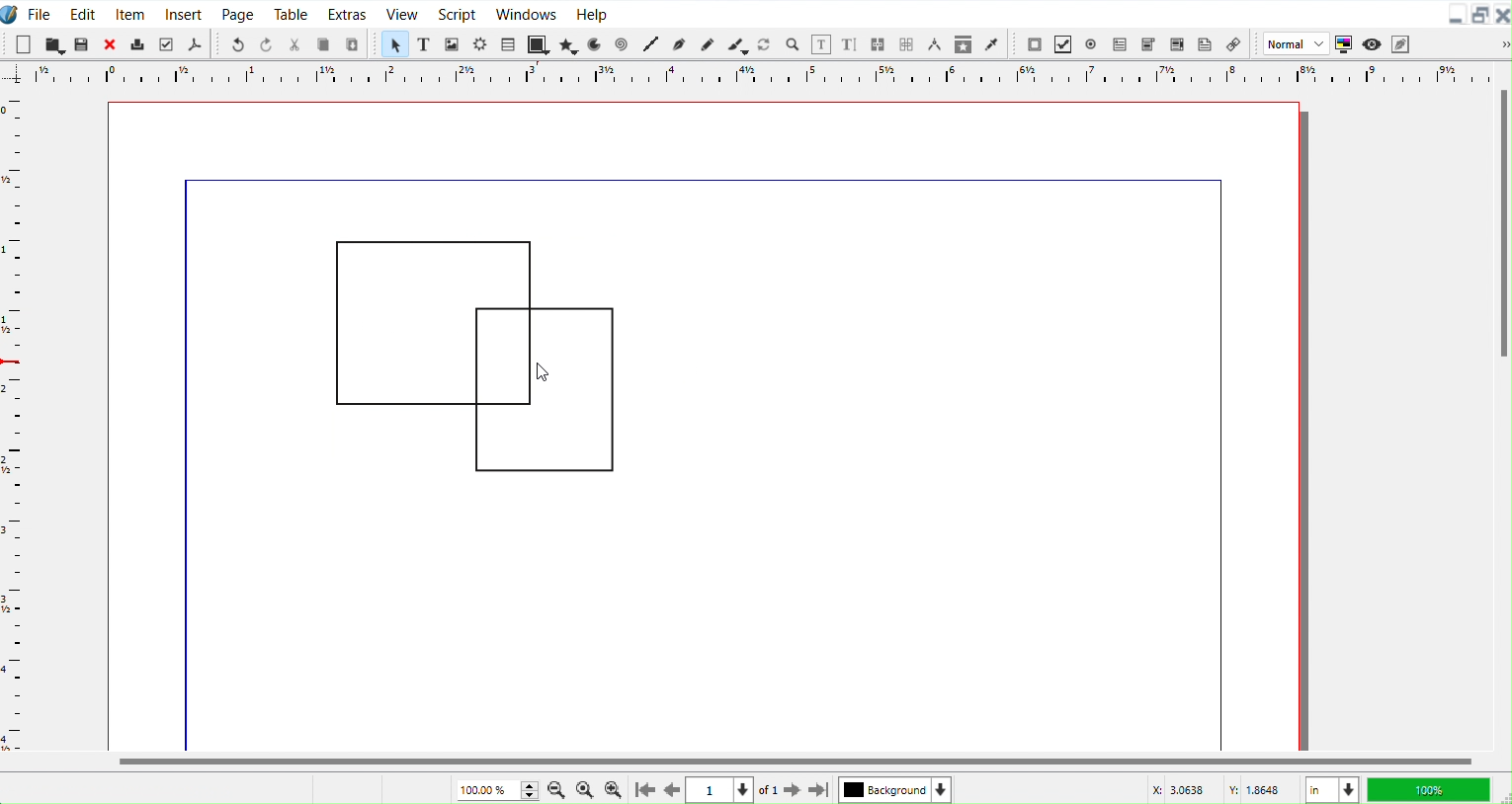 This screenshot has width=1512, height=804. I want to click on PDF Text Field, so click(1120, 43).